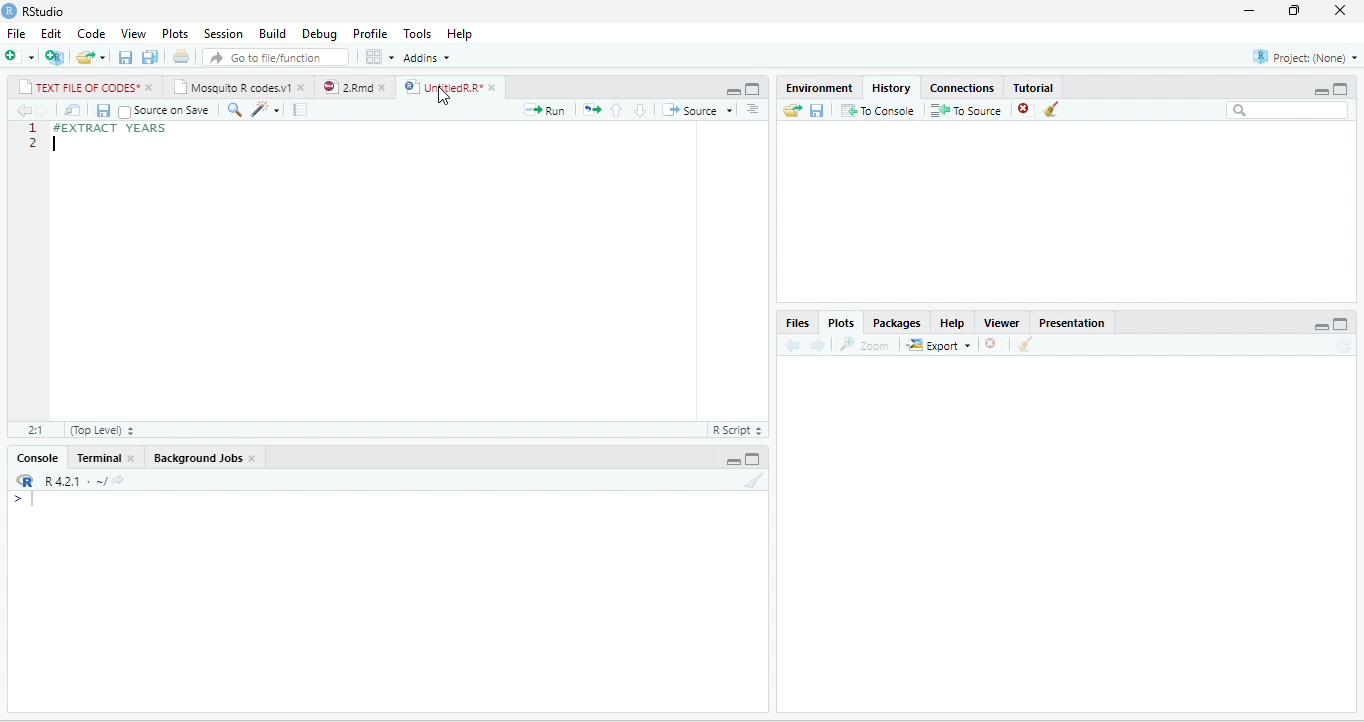  I want to click on close, so click(303, 87).